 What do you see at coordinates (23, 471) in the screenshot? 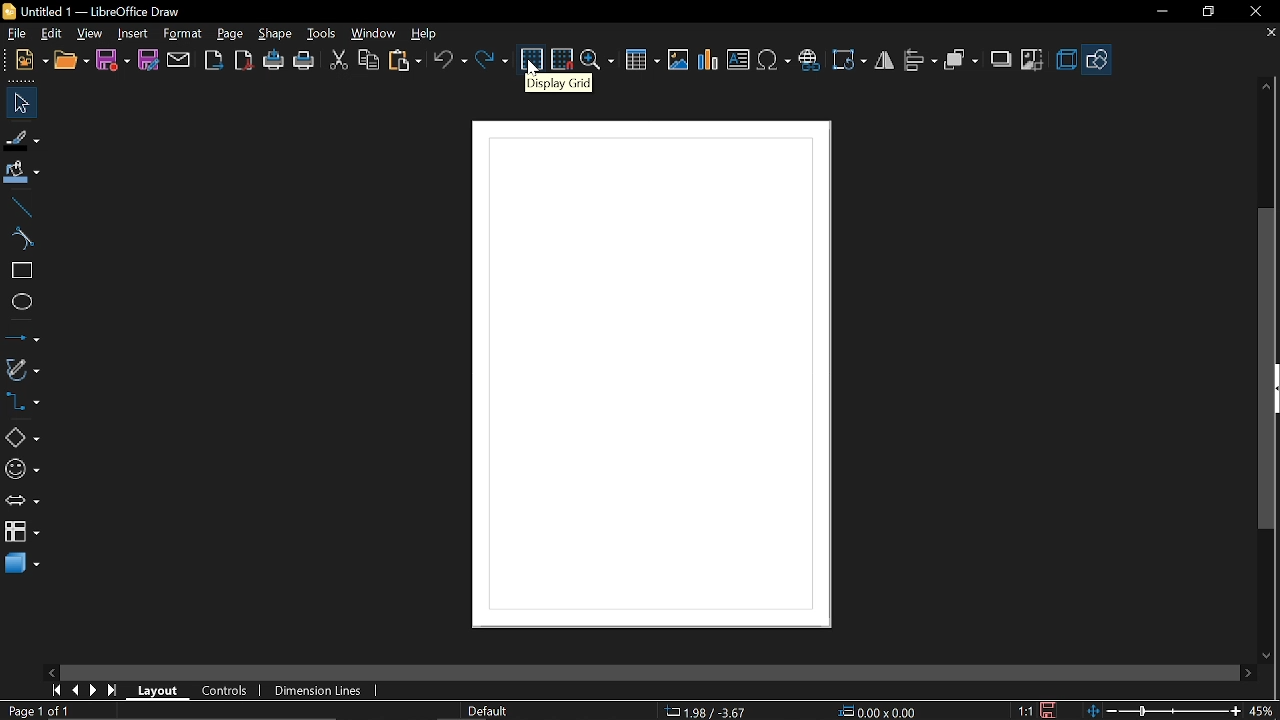
I see `symbol shapes` at bounding box center [23, 471].